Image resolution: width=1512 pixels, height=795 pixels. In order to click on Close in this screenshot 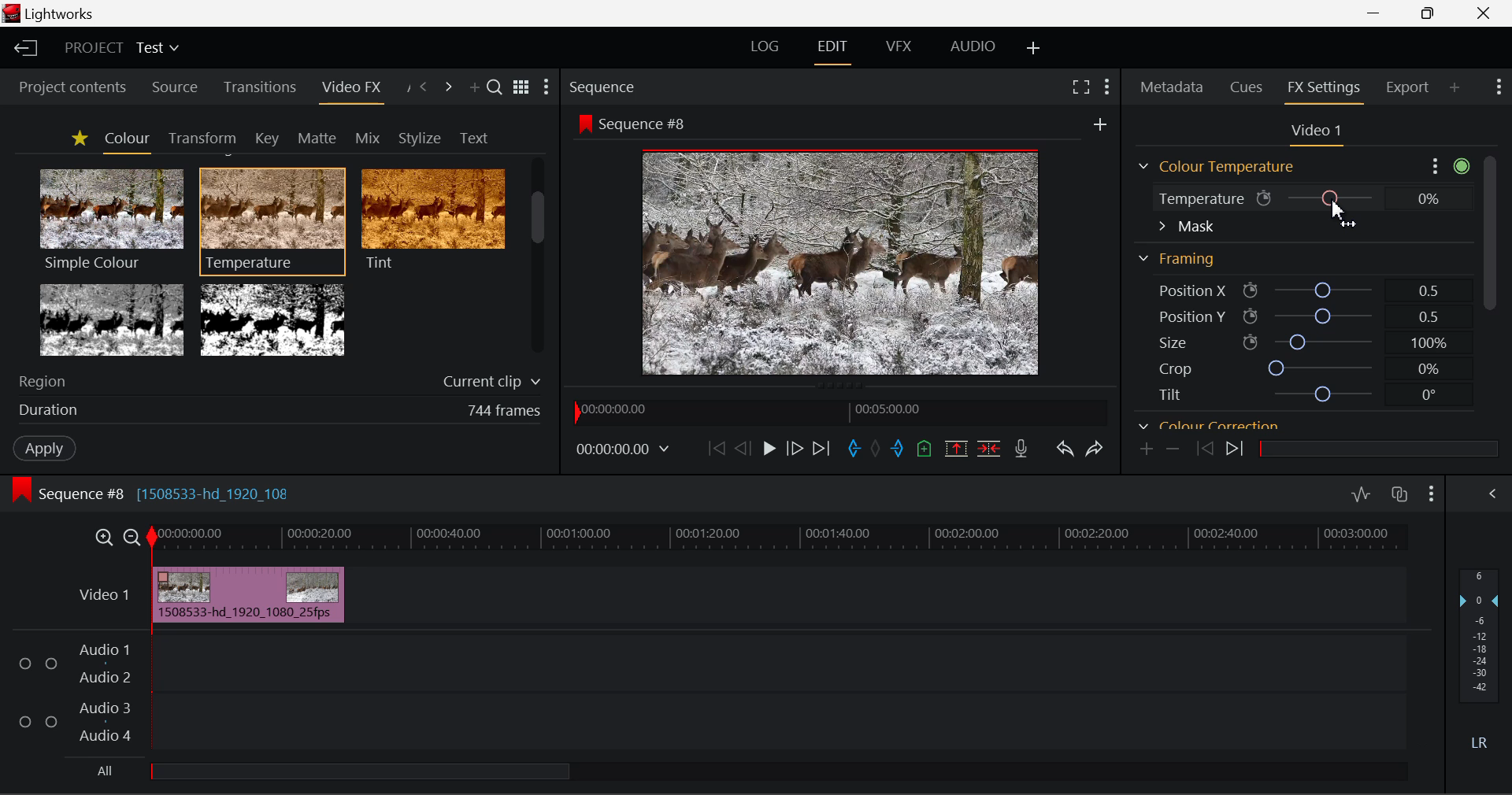, I will do `click(1484, 12)`.